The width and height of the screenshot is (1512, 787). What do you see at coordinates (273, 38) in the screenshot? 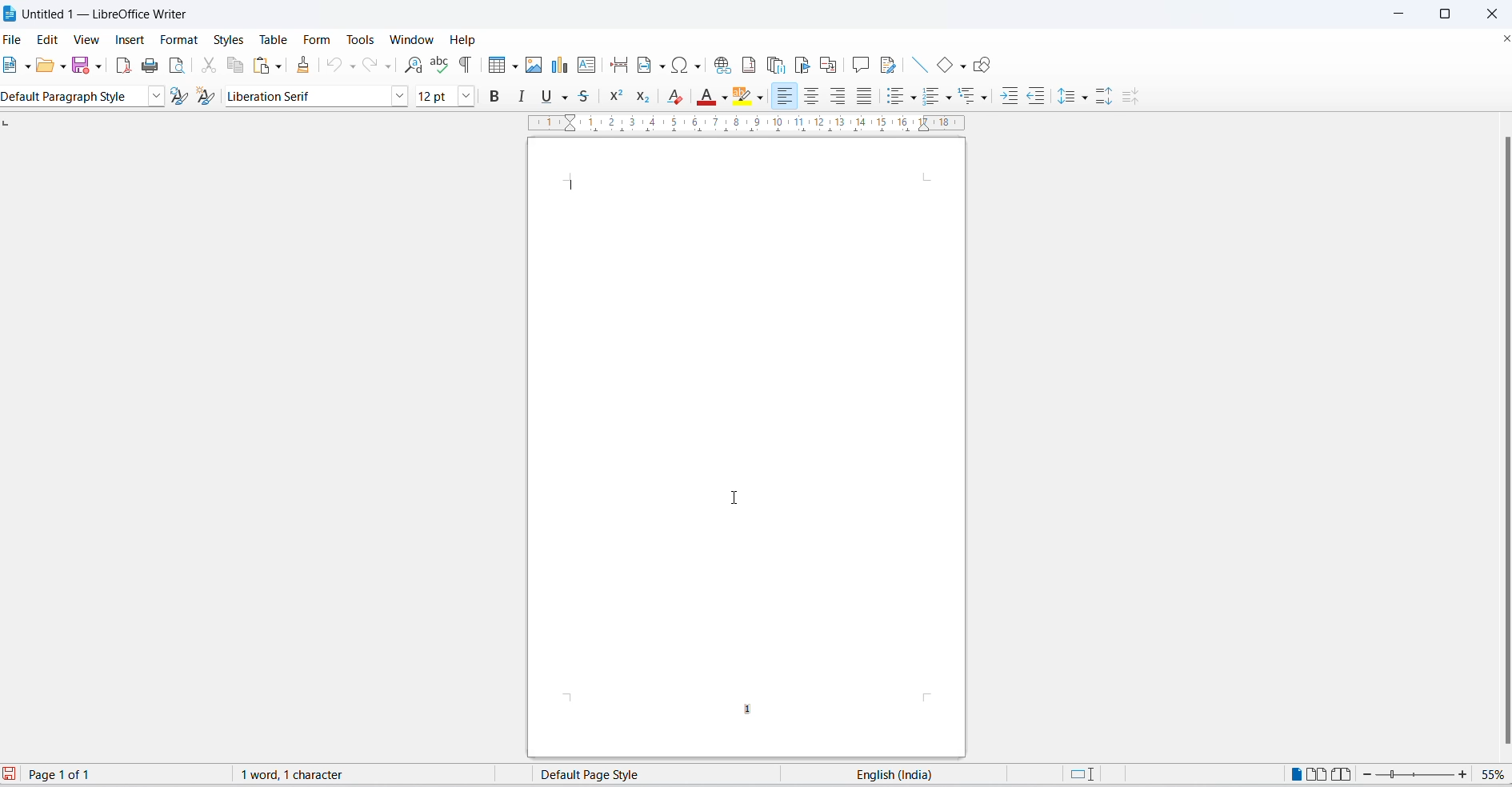
I see `table` at bounding box center [273, 38].